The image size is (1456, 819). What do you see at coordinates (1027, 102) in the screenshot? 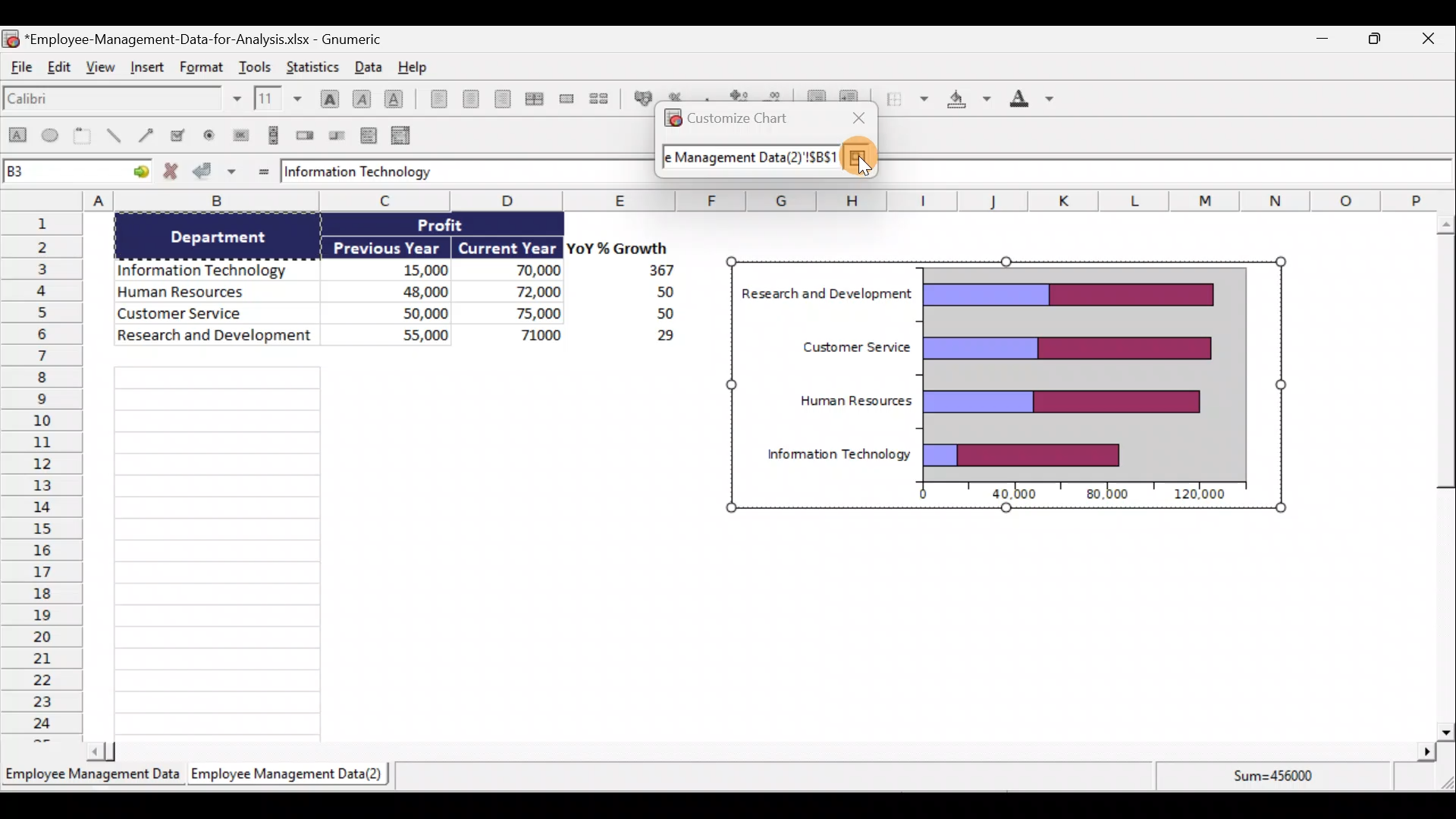
I see `Foreground` at bounding box center [1027, 102].